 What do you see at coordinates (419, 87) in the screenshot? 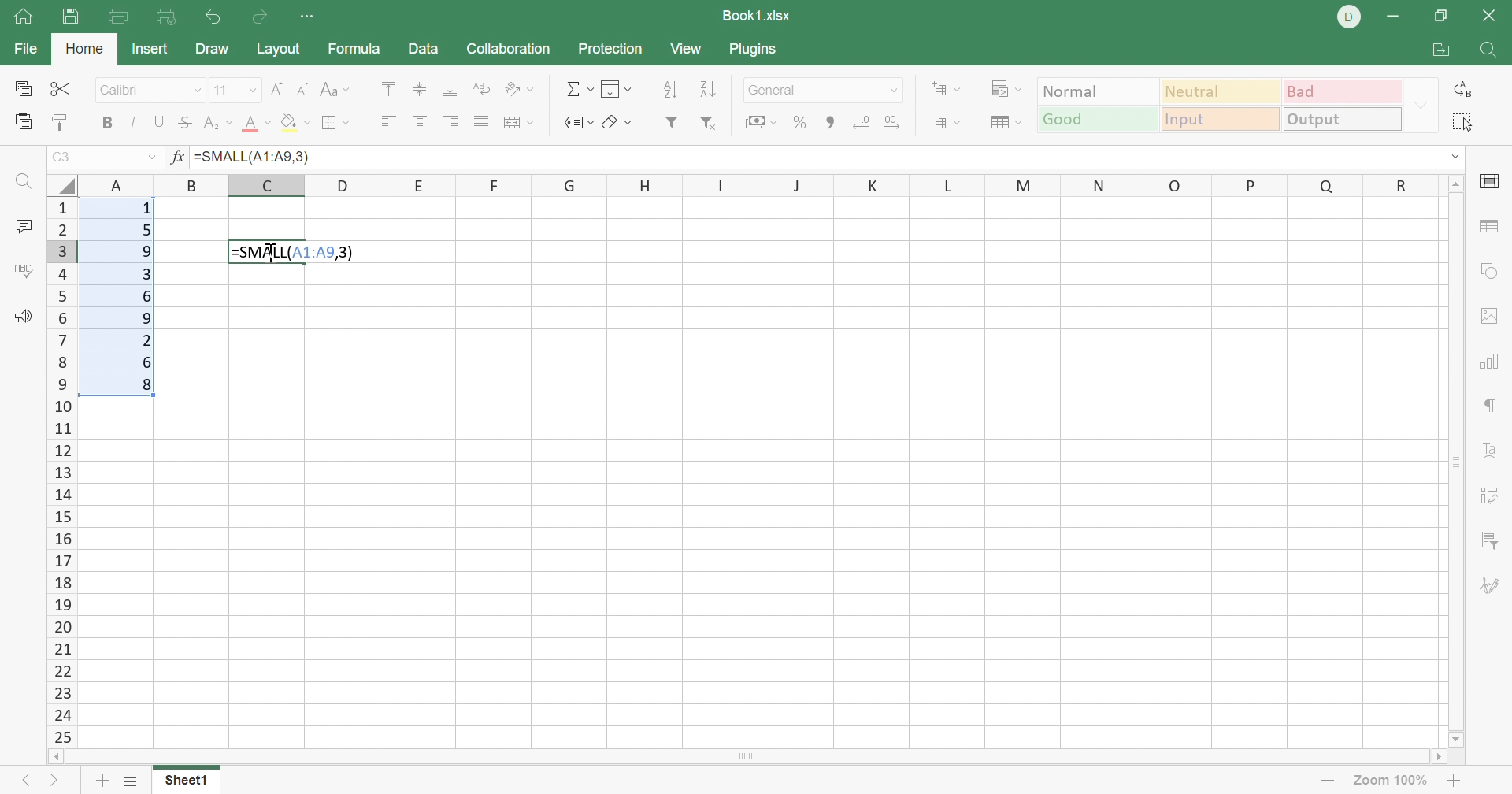
I see `Align middle` at bounding box center [419, 87].